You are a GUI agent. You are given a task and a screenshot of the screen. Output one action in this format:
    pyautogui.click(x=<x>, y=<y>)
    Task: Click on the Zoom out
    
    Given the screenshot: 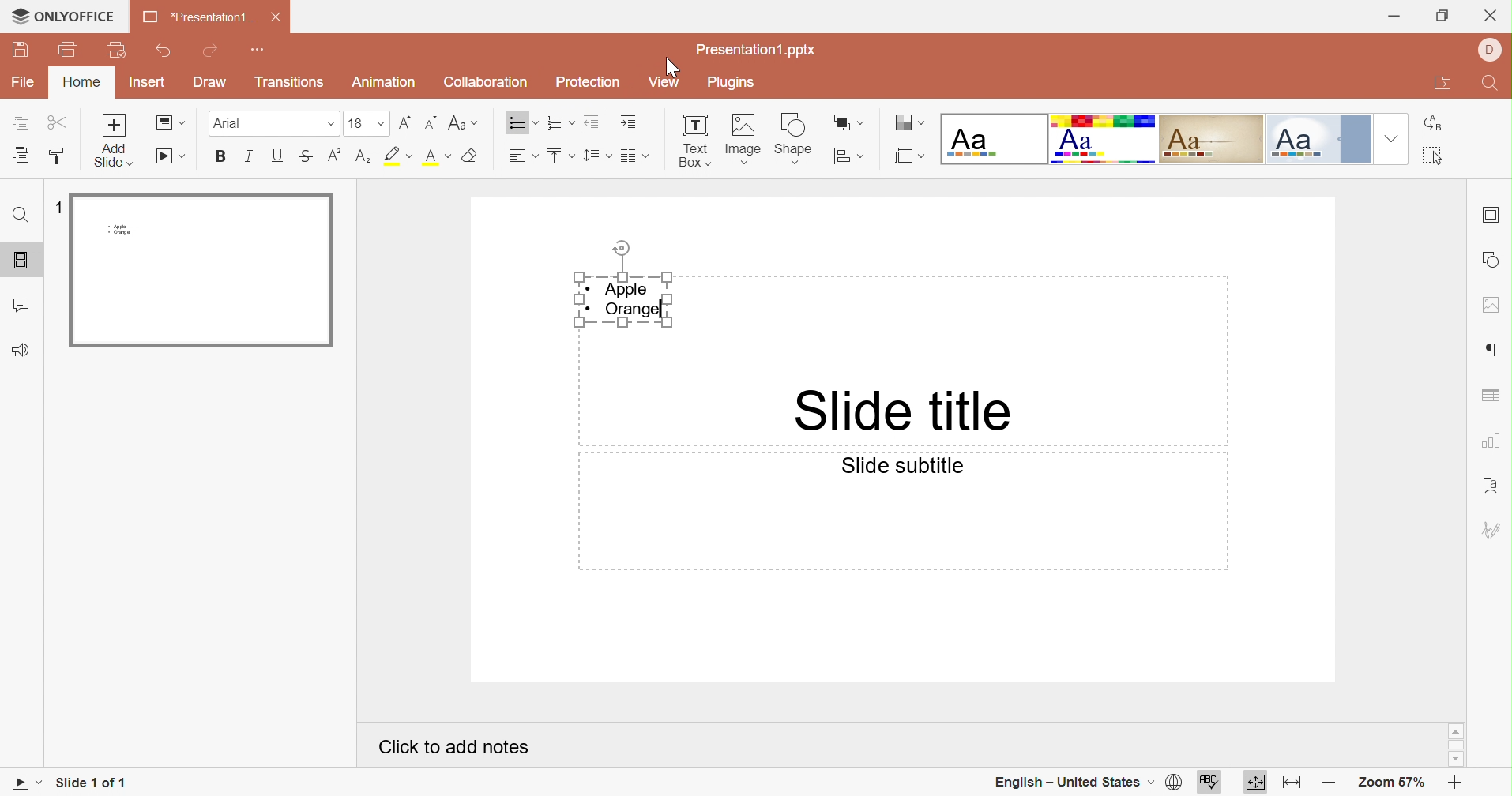 What is the action you would take?
    pyautogui.click(x=1330, y=782)
    